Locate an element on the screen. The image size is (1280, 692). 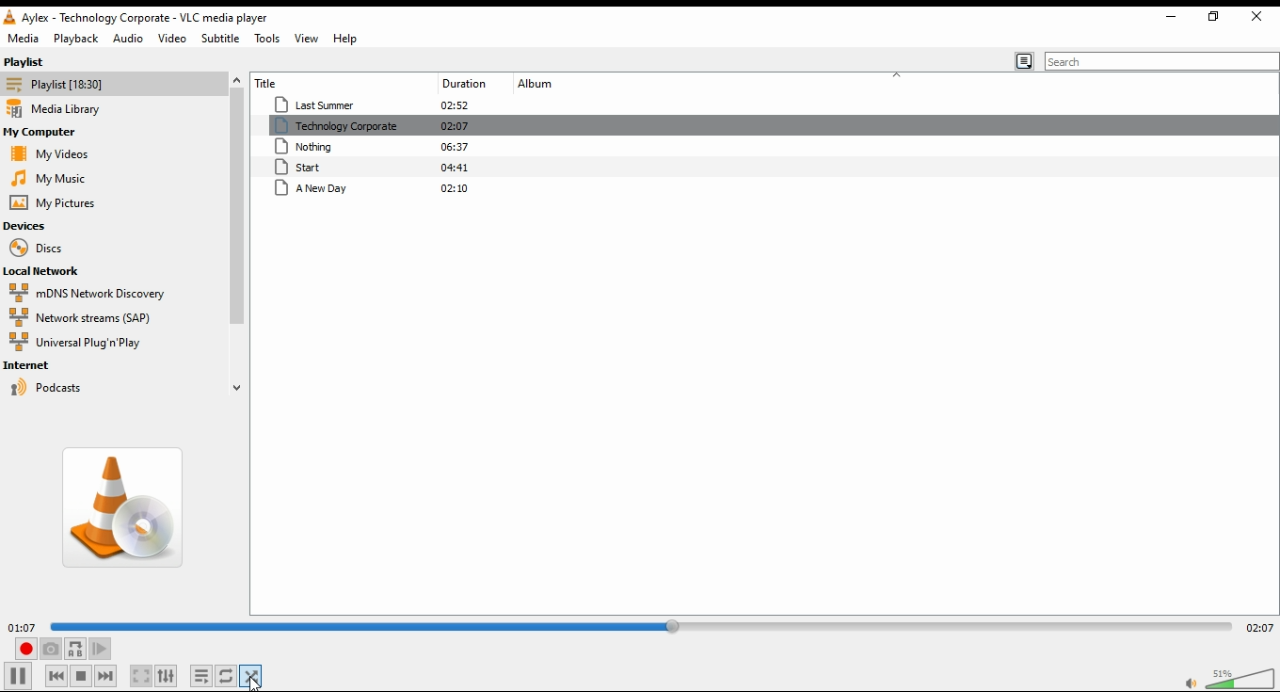
media is located at coordinates (24, 38).